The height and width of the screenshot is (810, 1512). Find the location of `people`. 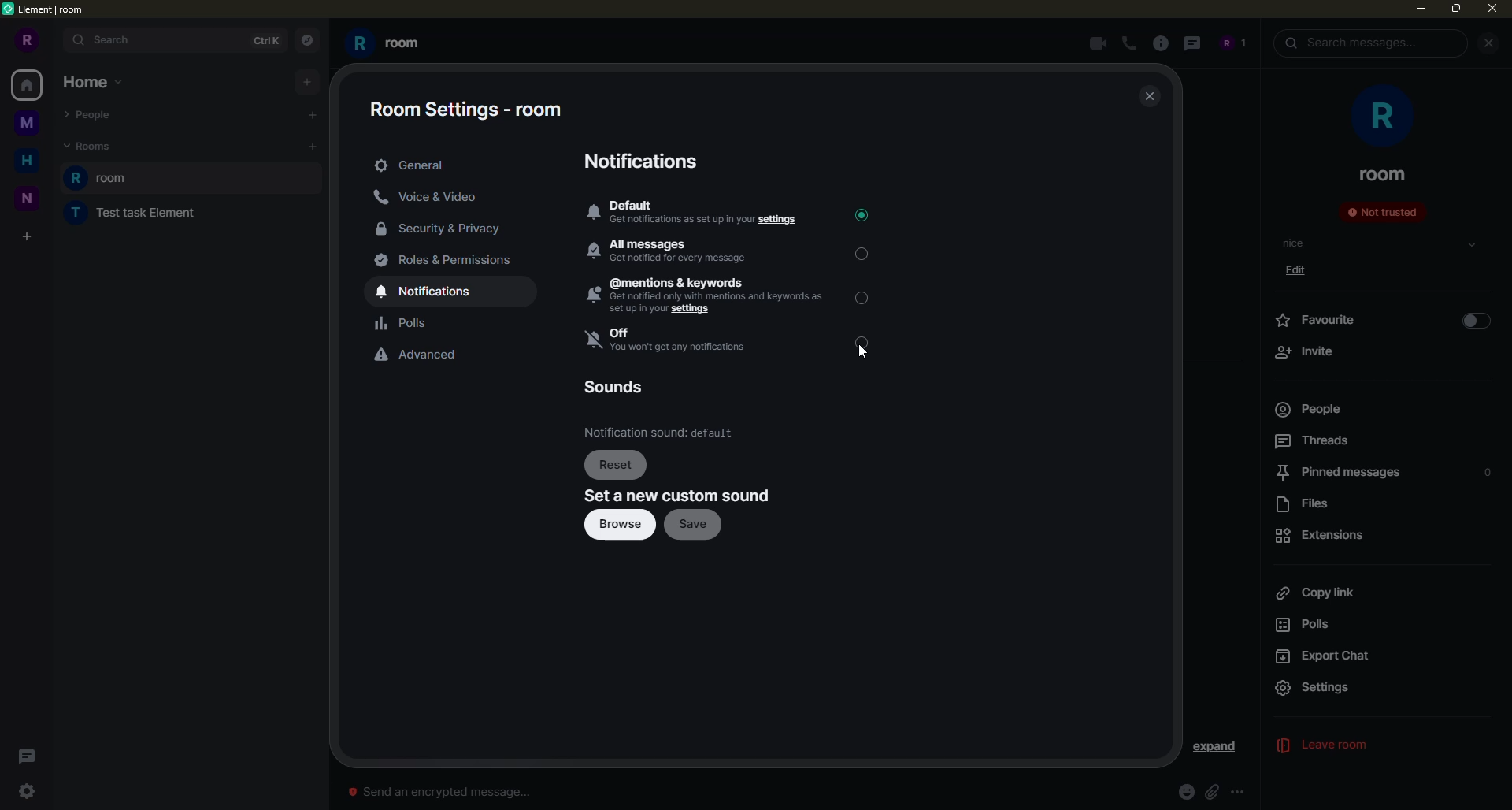

people is located at coordinates (1307, 409).